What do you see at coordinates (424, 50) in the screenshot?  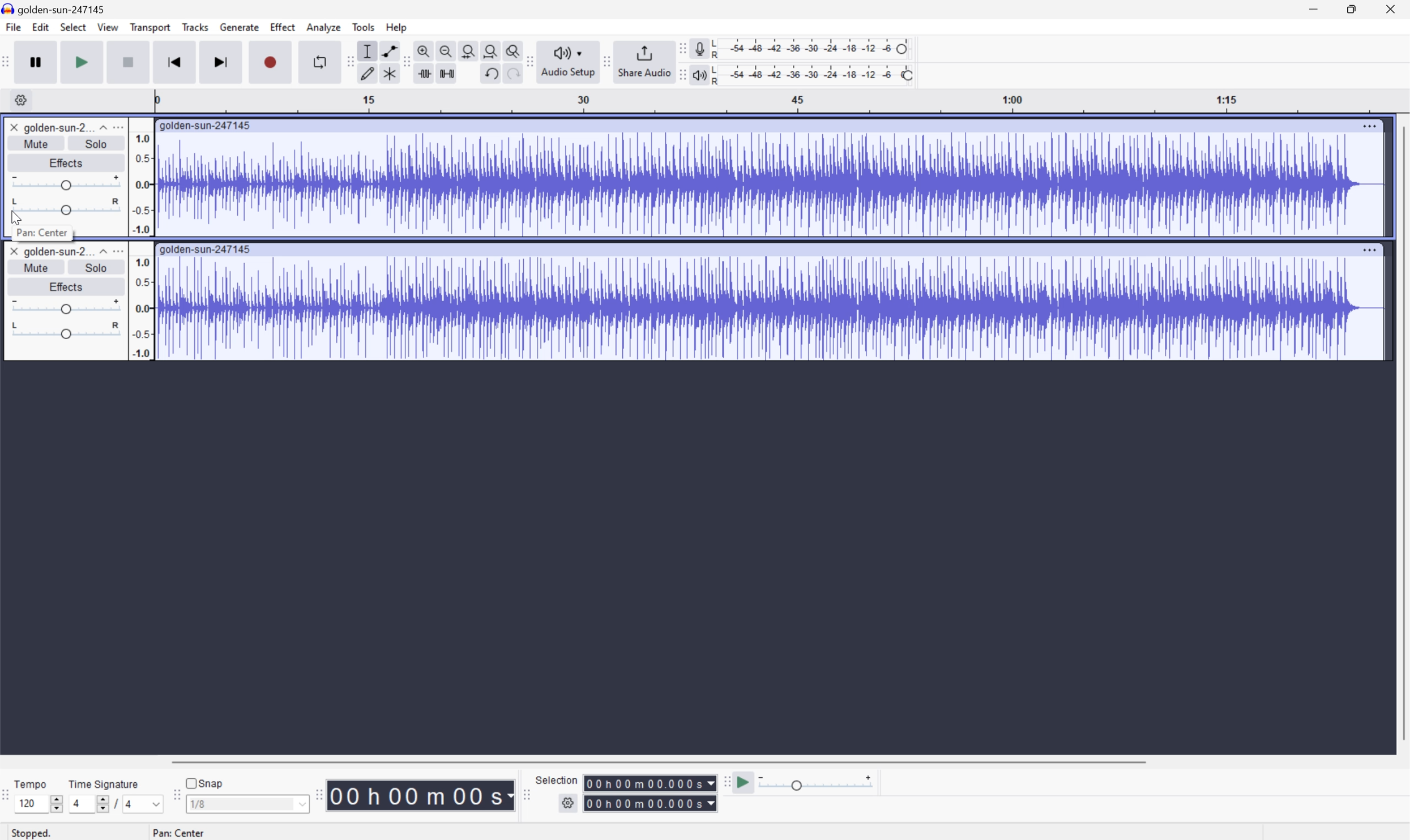 I see `Zoom in` at bounding box center [424, 50].